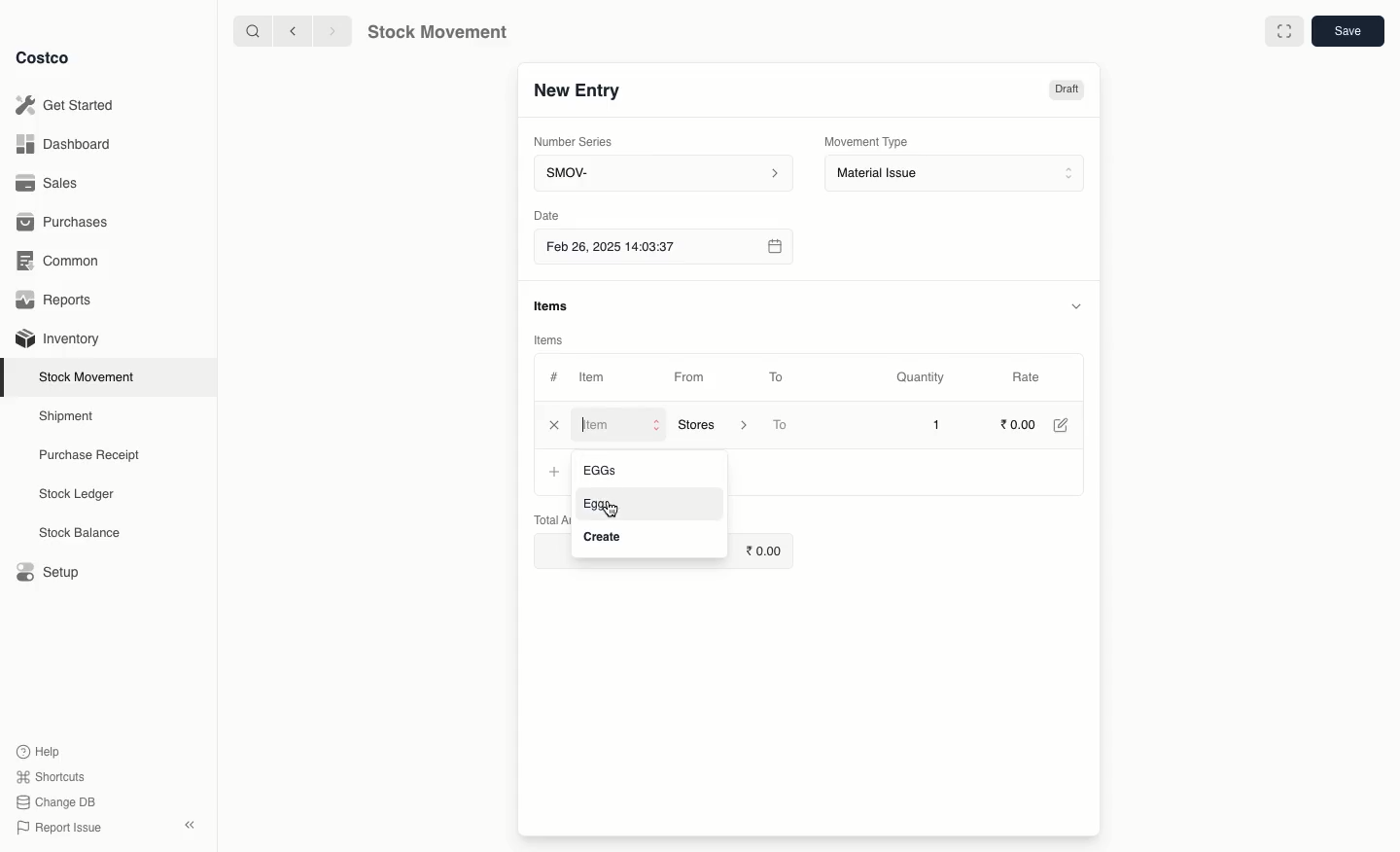 The height and width of the screenshot is (852, 1400). Describe the element at coordinates (189, 824) in the screenshot. I see `collapse` at that location.